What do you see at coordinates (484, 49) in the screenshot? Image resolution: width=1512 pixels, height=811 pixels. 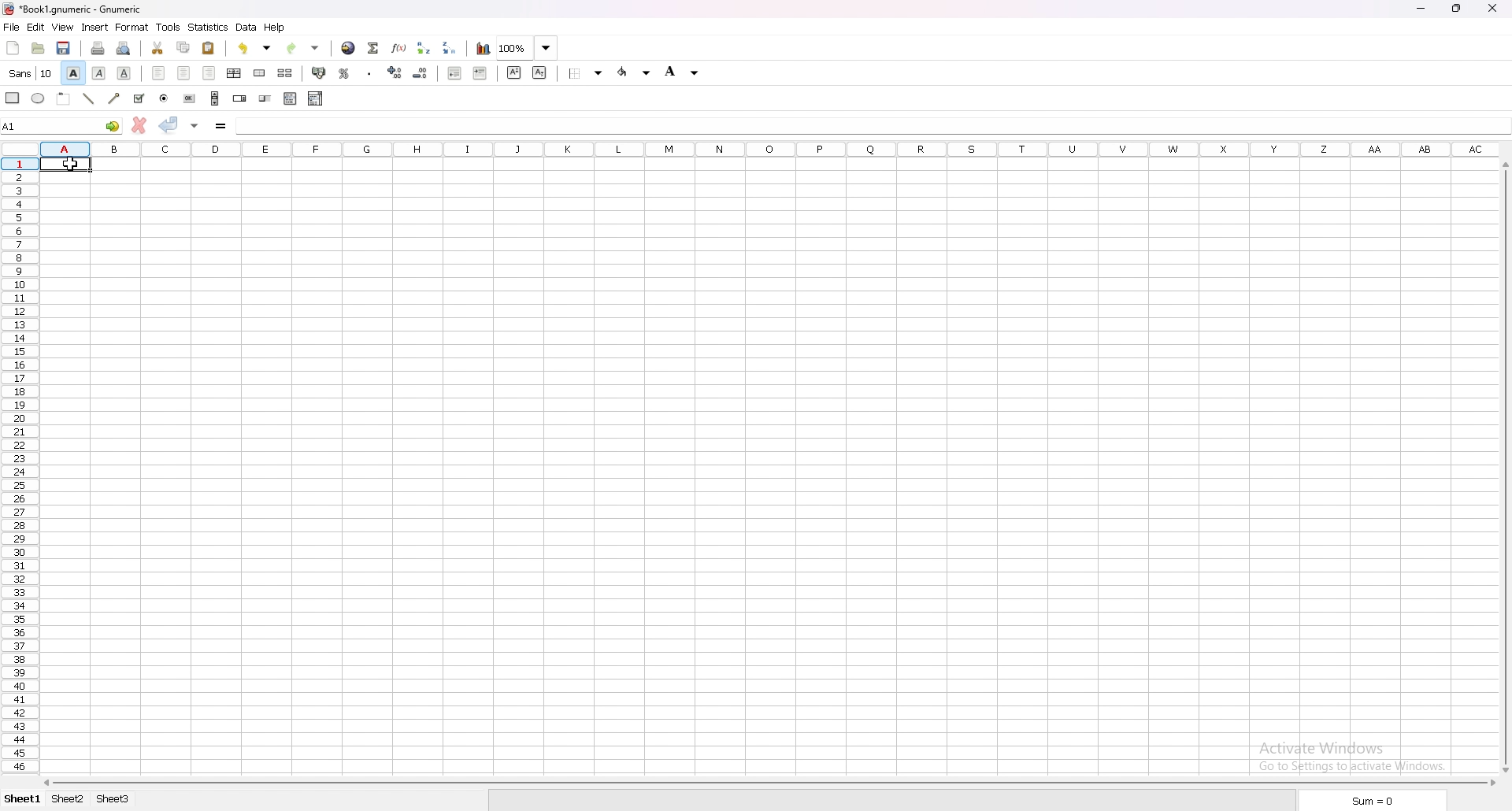 I see `chart` at bounding box center [484, 49].